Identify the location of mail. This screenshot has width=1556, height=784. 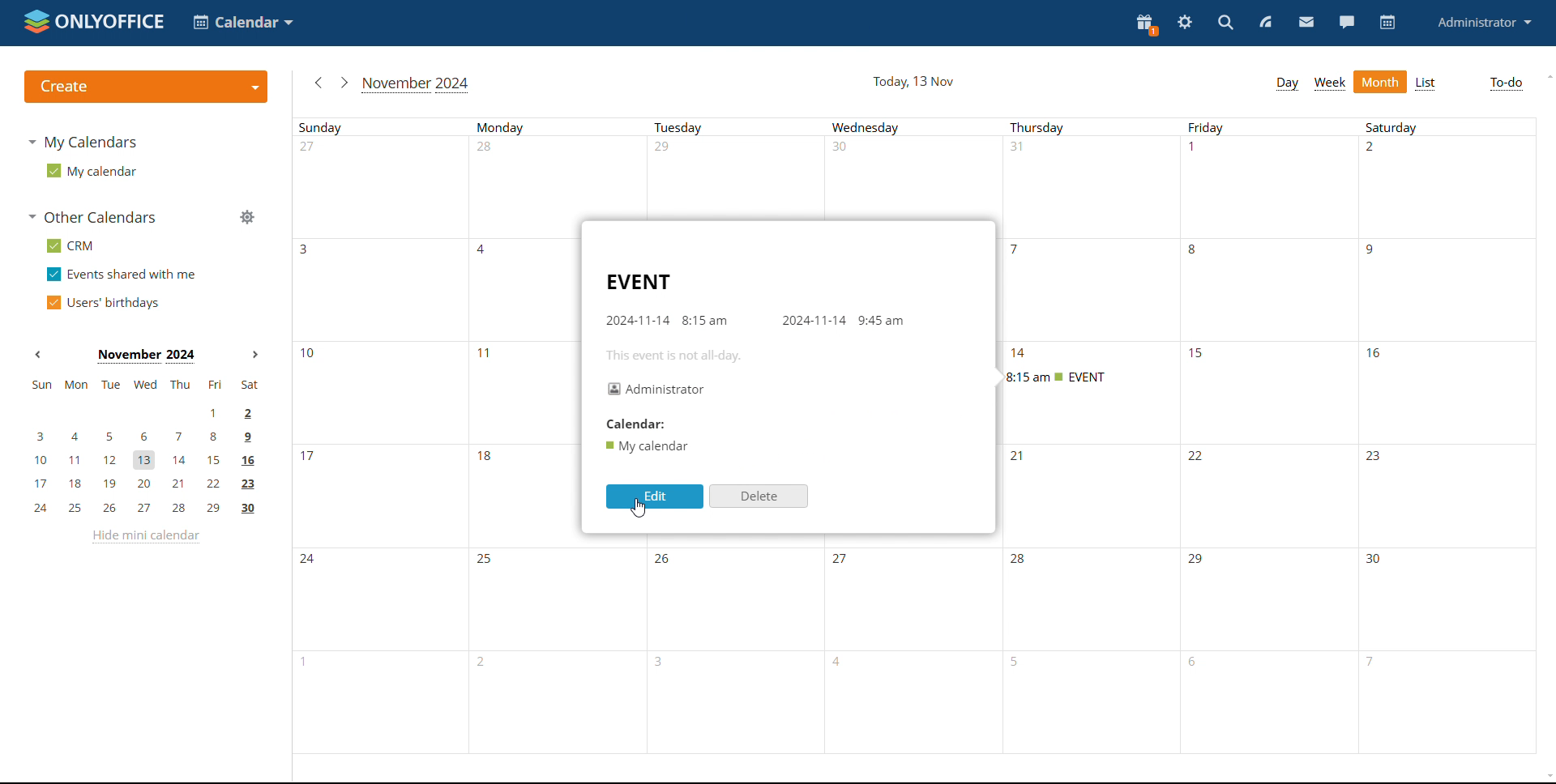
(1305, 23).